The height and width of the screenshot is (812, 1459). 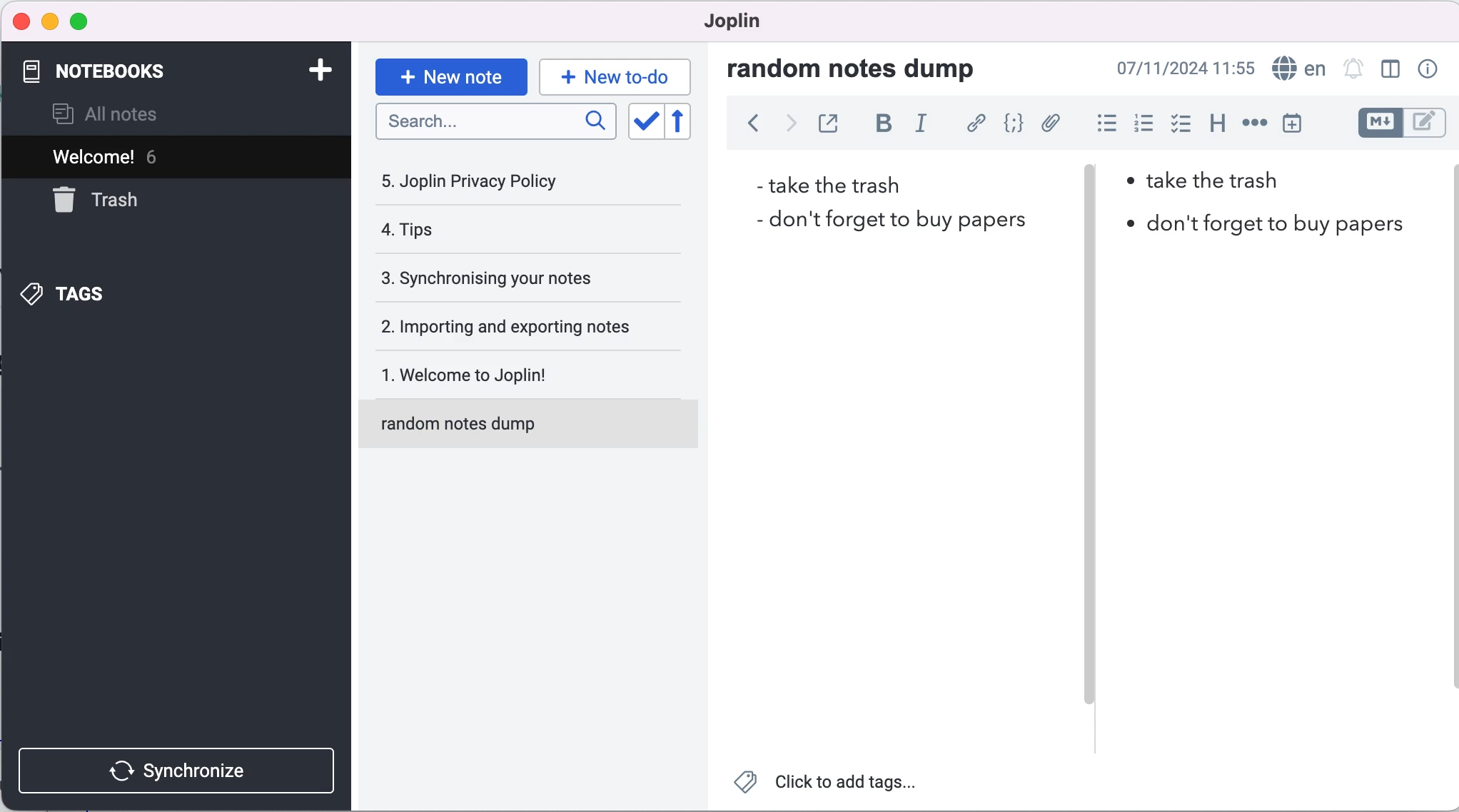 What do you see at coordinates (450, 75) in the screenshot?
I see `new note` at bounding box center [450, 75].